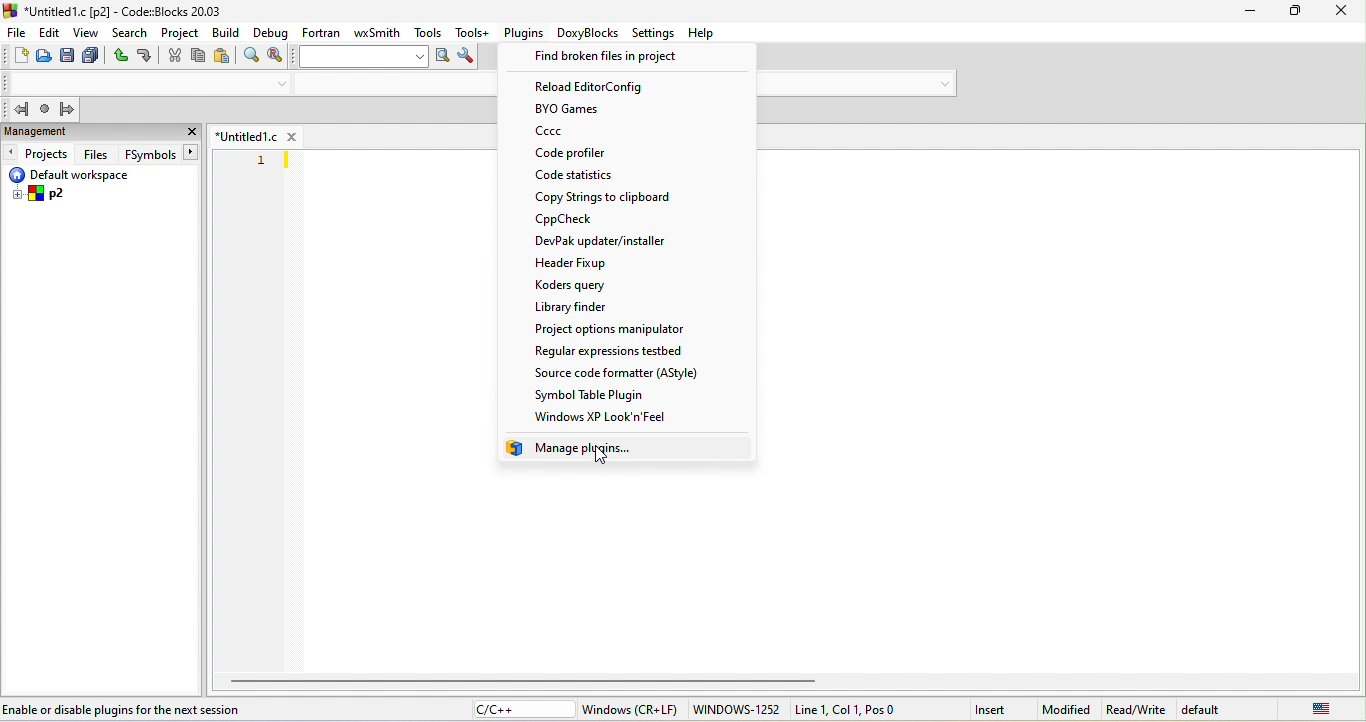 The image size is (1366, 722). I want to click on windows xp lock n feel, so click(617, 416).